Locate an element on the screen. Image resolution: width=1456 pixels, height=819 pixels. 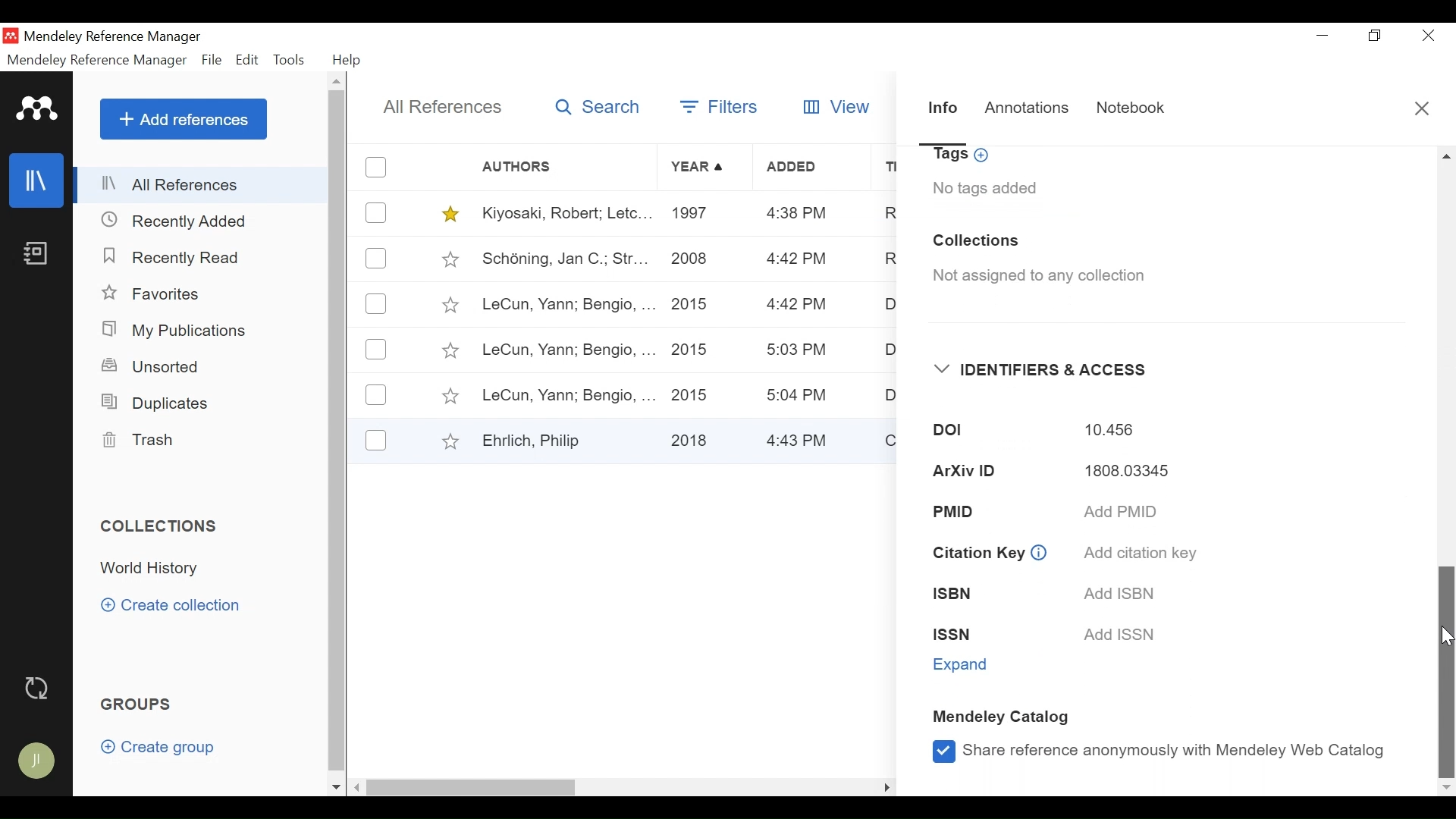
Expand is located at coordinates (964, 665).